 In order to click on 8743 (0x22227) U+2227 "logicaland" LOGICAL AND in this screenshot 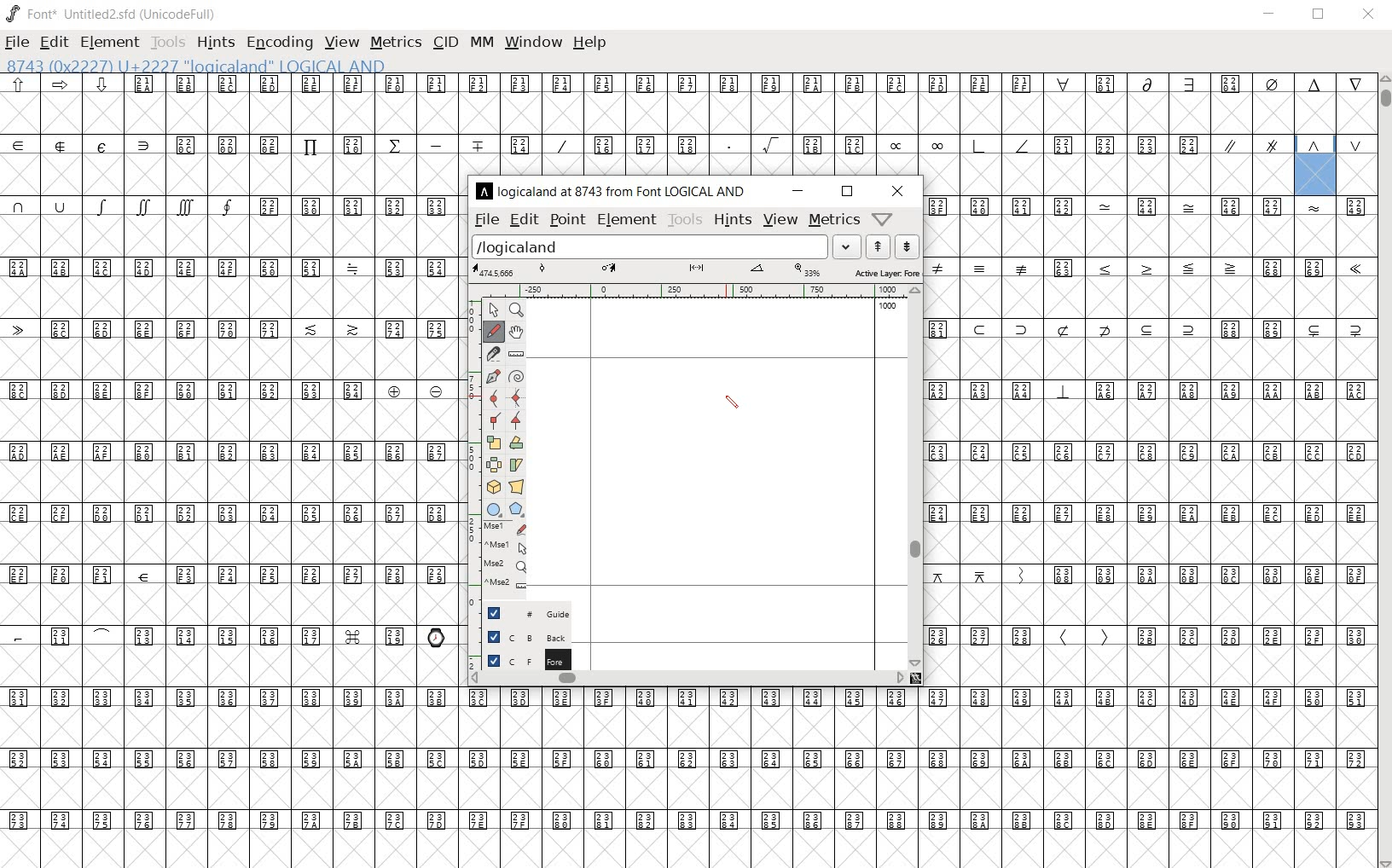, I will do `click(198, 67)`.